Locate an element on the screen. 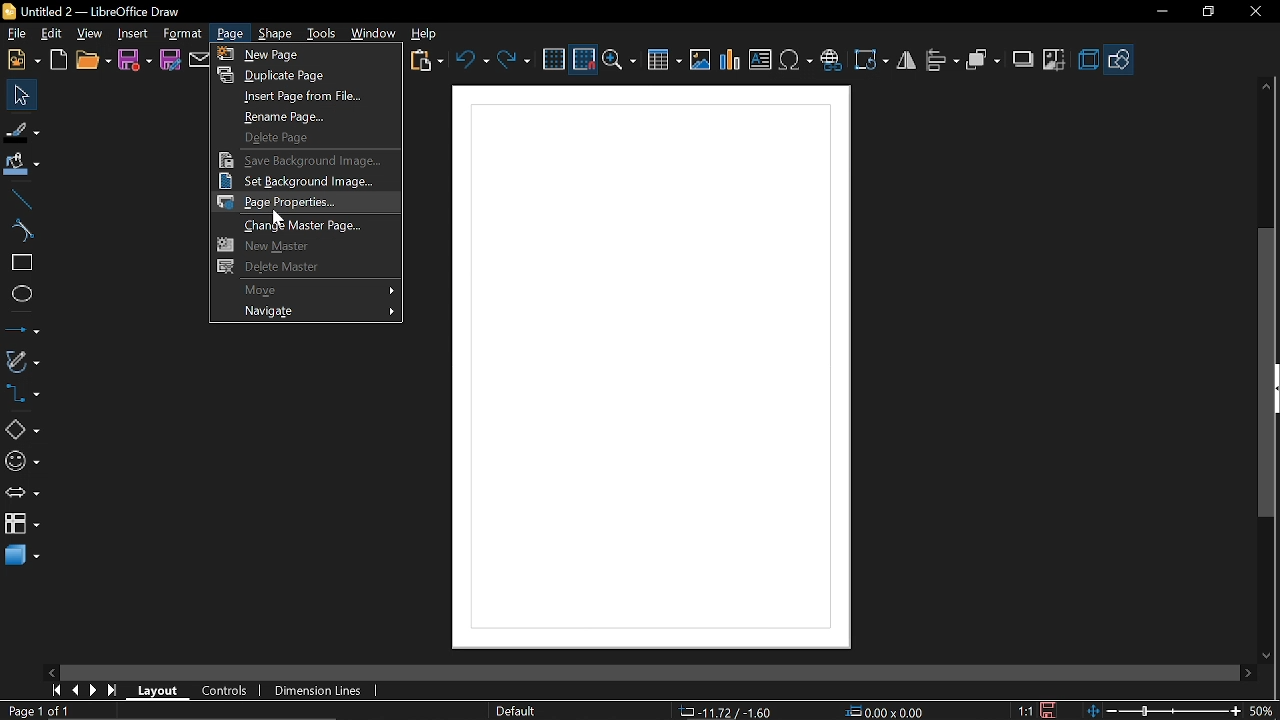 Image resolution: width=1280 pixels, height=720 pixels. Cursor is located at coordinates (277, 219).